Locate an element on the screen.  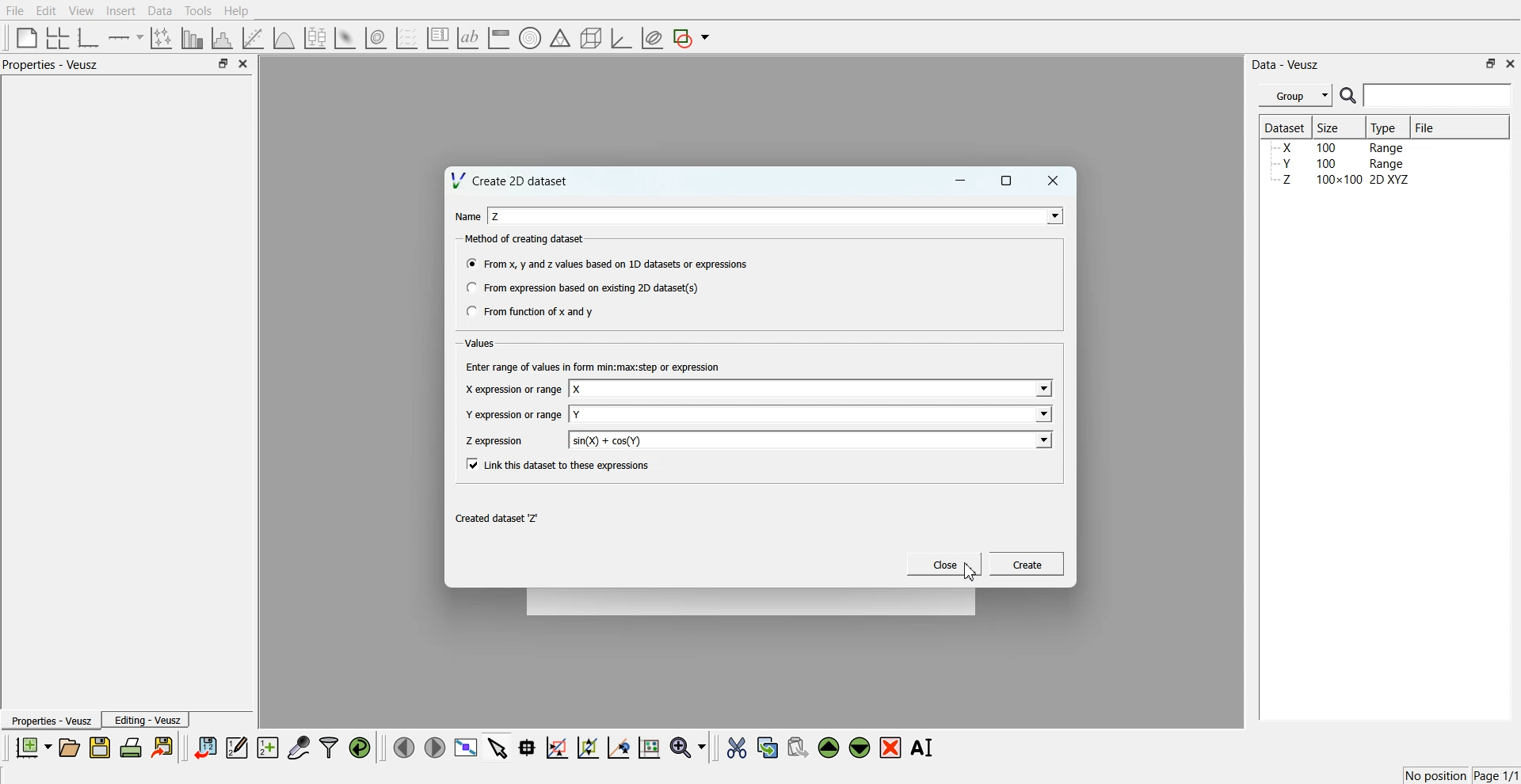
Import dataset from veusz is located at coordinates (205, 747).